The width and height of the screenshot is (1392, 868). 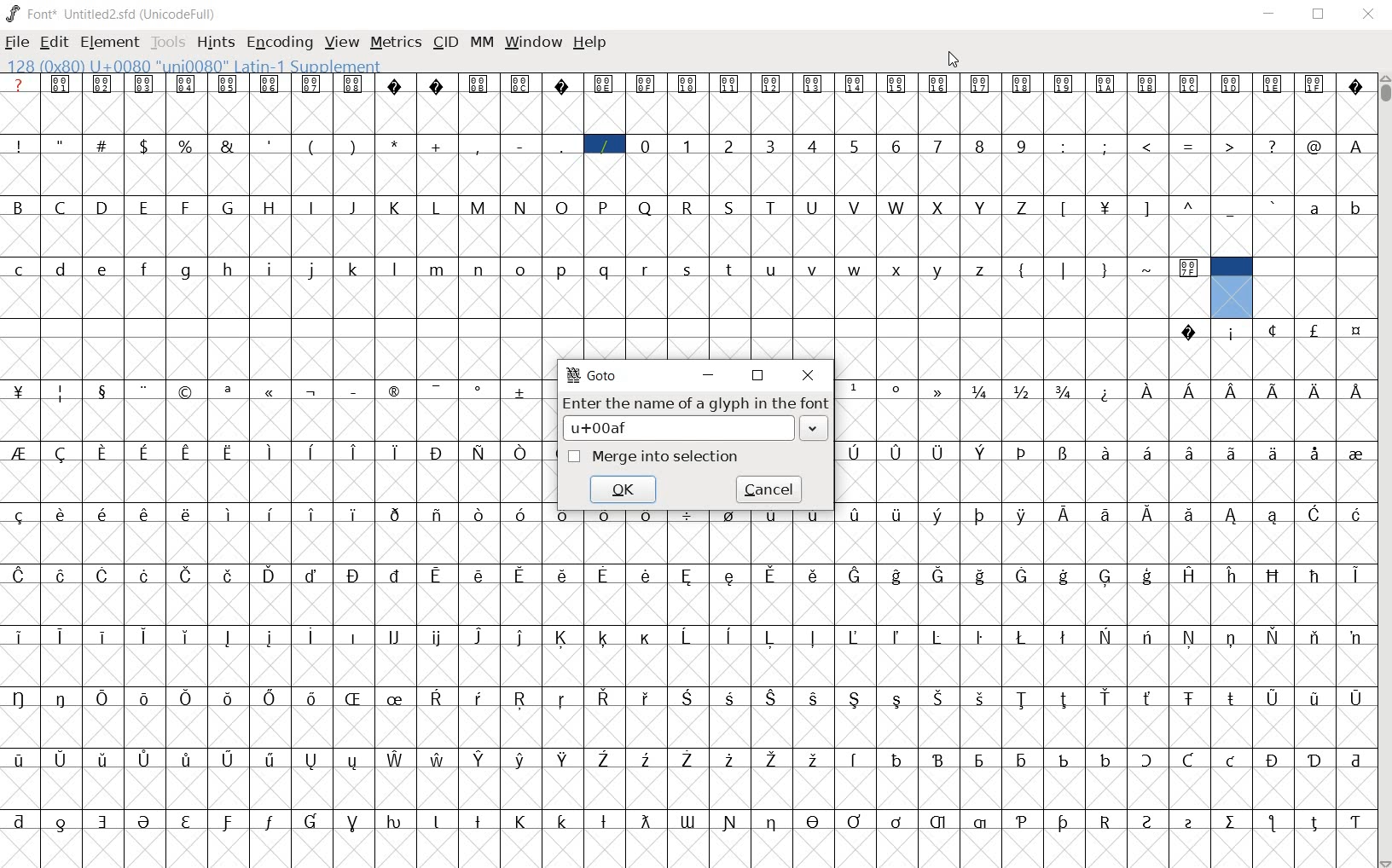 What do you see at coordinates (63, 392) in the screenshot?
I see `Symbol` at bounding box center [63, 392].